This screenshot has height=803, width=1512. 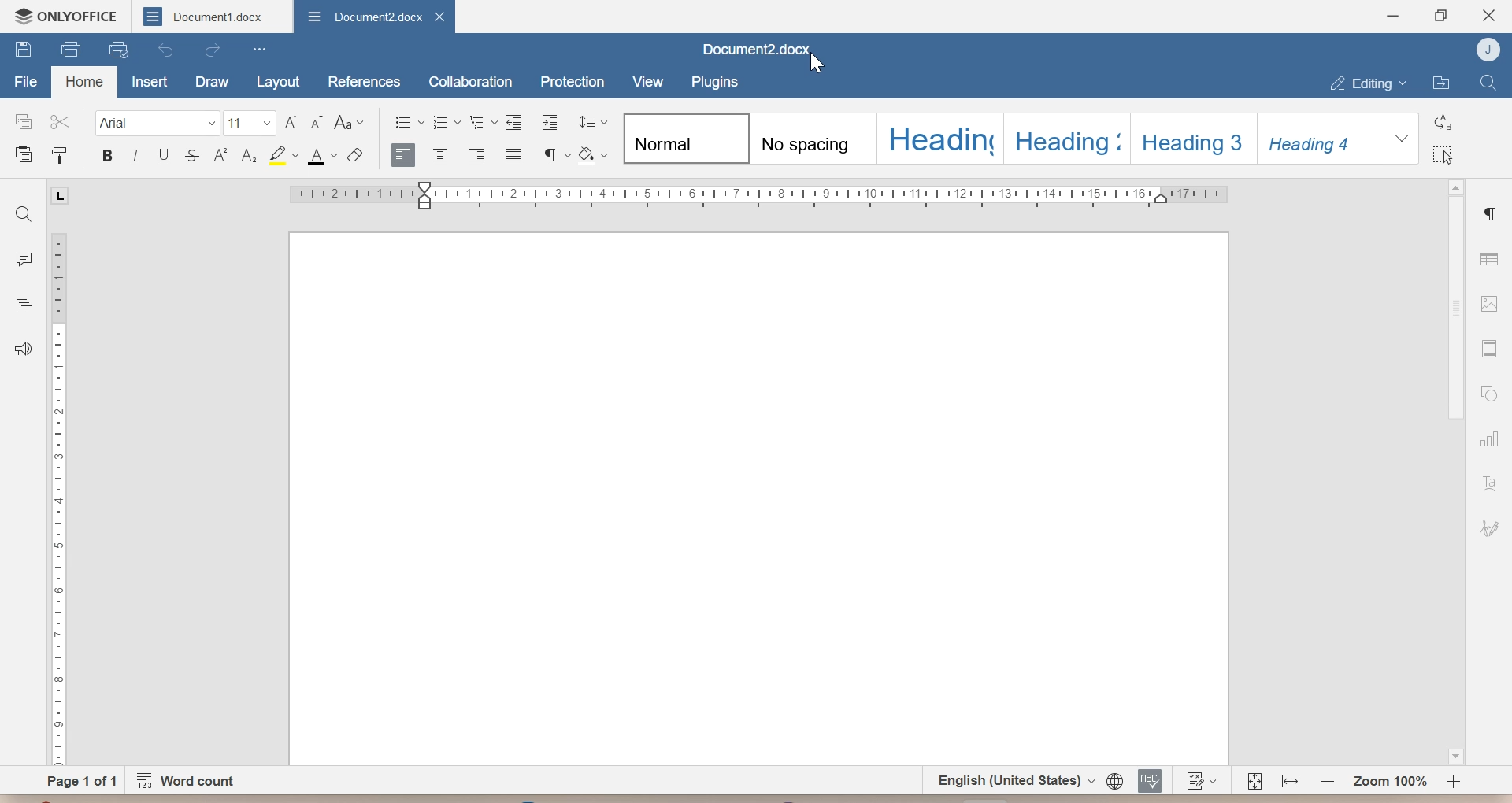 I want to click on Heading 4, so click(x=1319, y=138).